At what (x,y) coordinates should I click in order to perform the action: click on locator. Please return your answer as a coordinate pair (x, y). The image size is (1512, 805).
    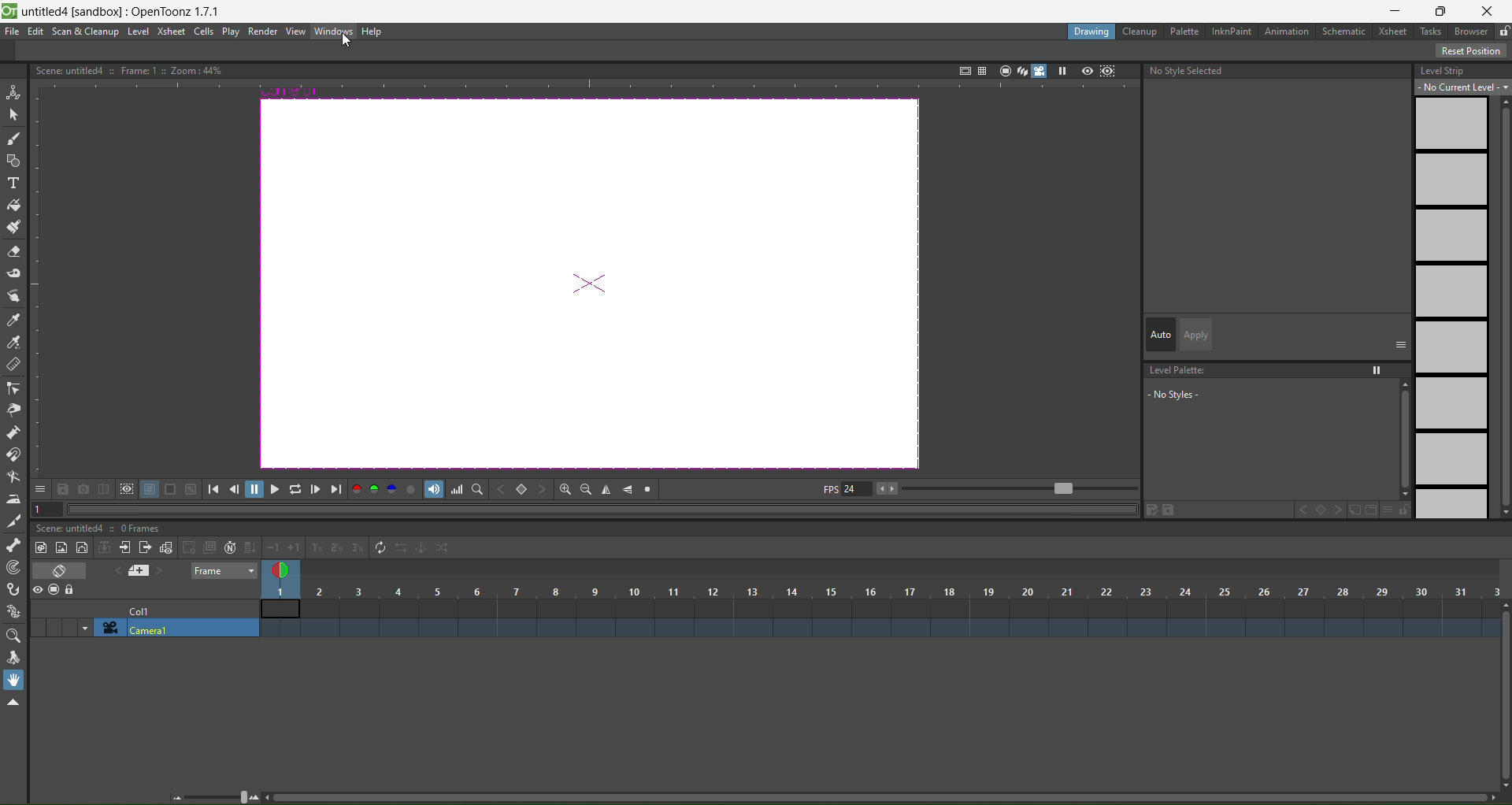
    Looking at the image, I should click on (522, 491).